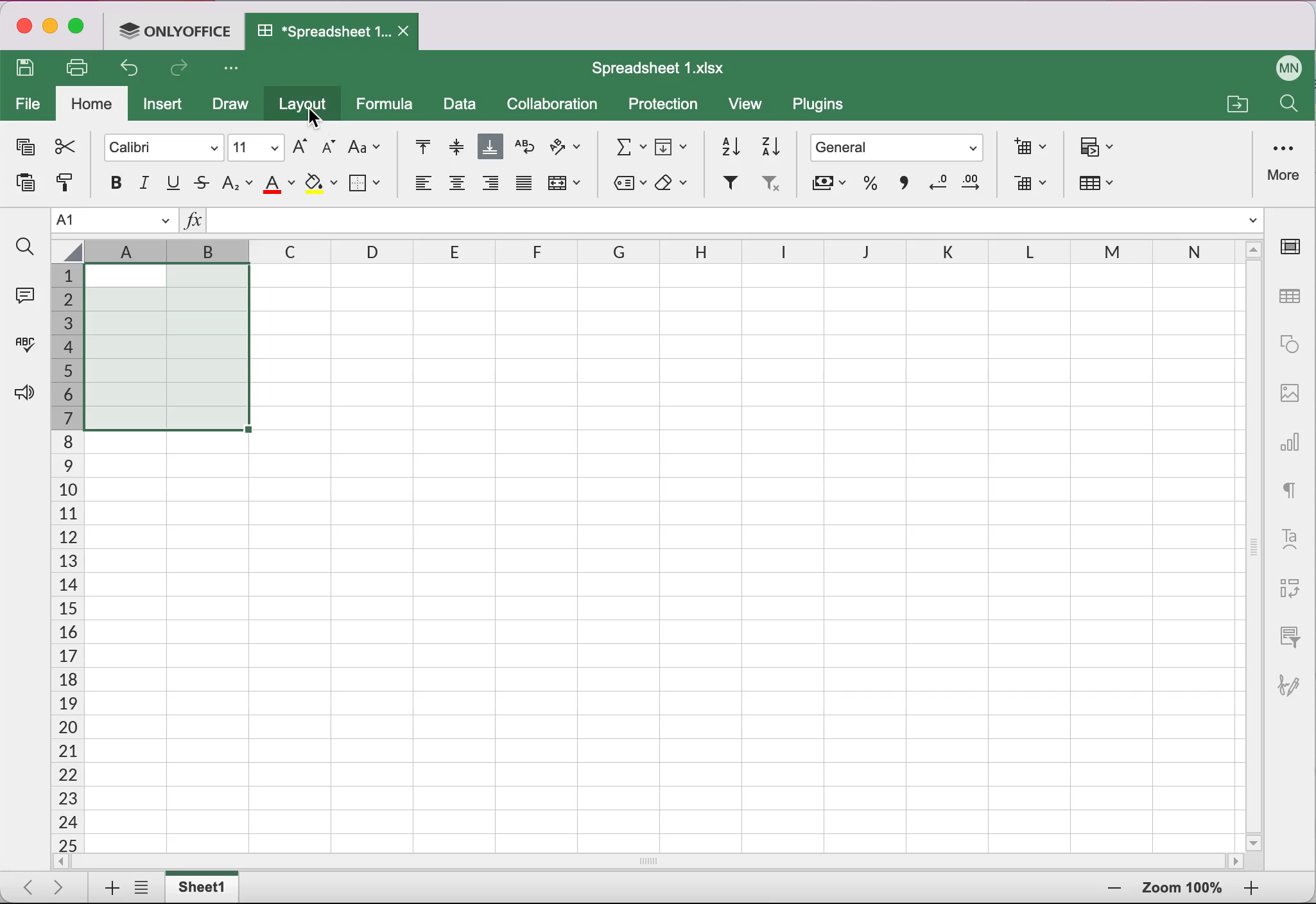 Image resolution: width=1316 pixels, height=904 pixels. What do you see at coordinates (318, 31) in the screenshot?
I see `*Spreadsheet 1...` at bounding box center [318, 31].